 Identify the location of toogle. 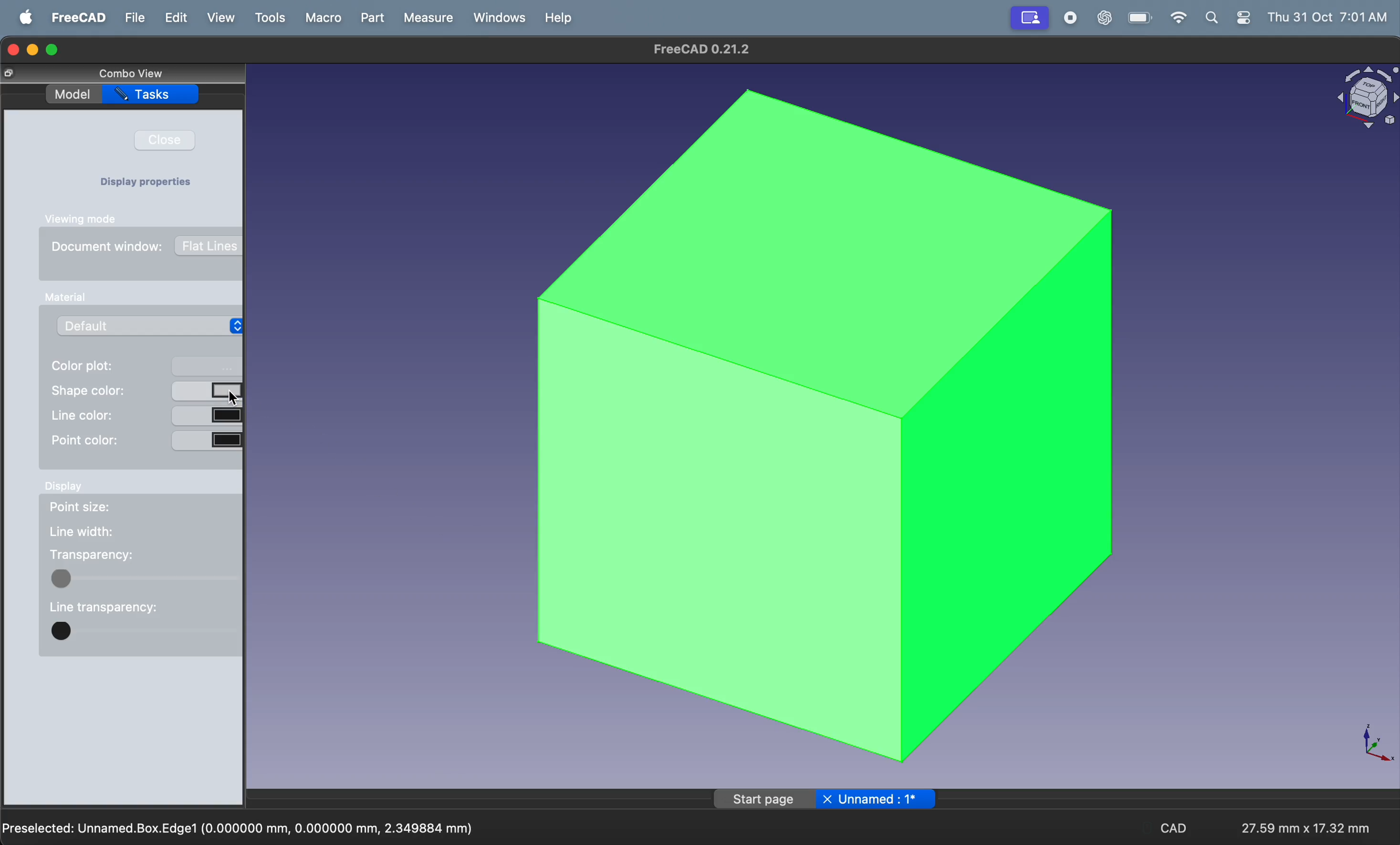
(145, 578).